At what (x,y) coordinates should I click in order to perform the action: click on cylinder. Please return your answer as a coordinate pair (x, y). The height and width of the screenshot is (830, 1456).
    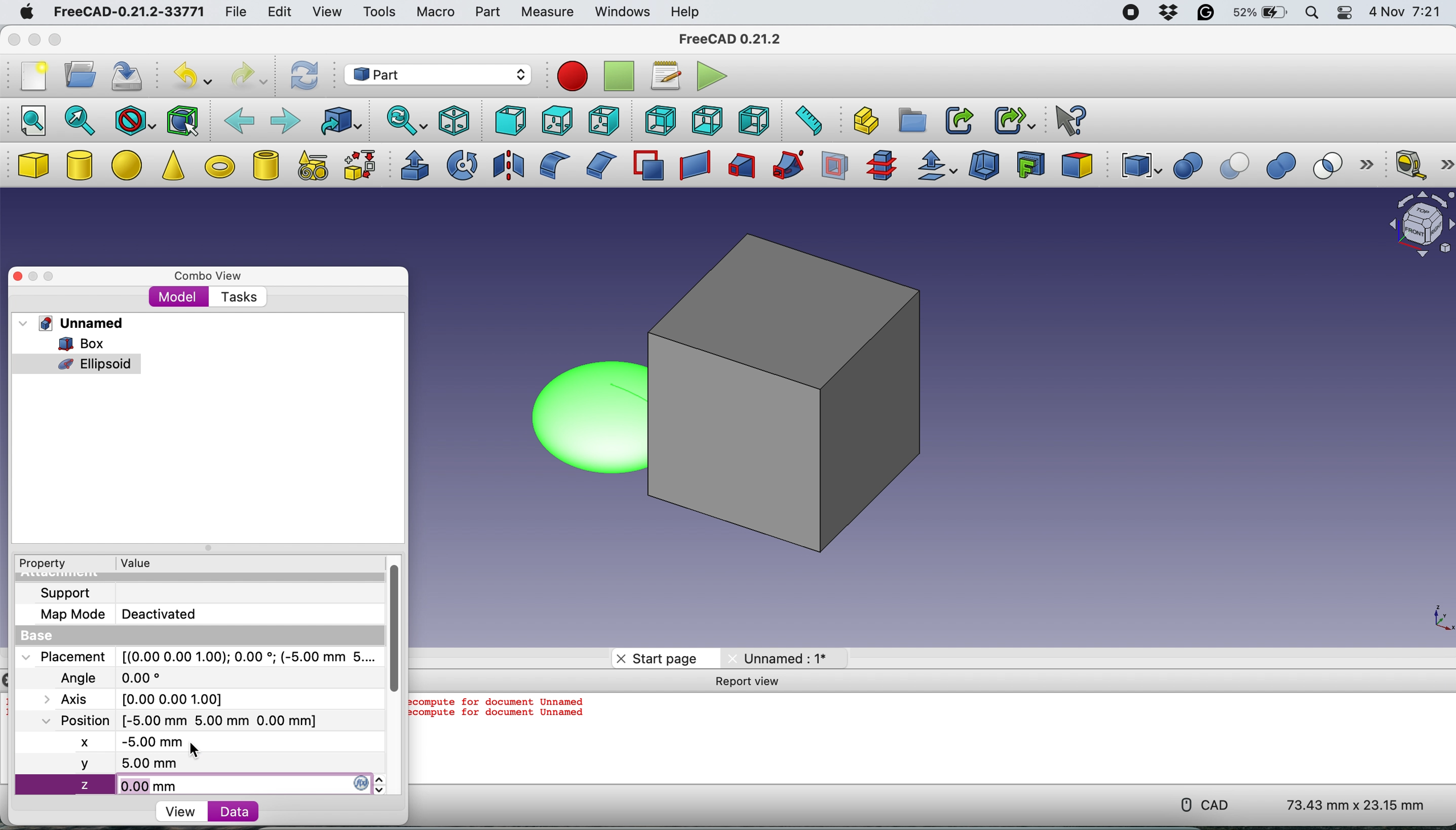
    Looking at the image, I should click on (80, 167).